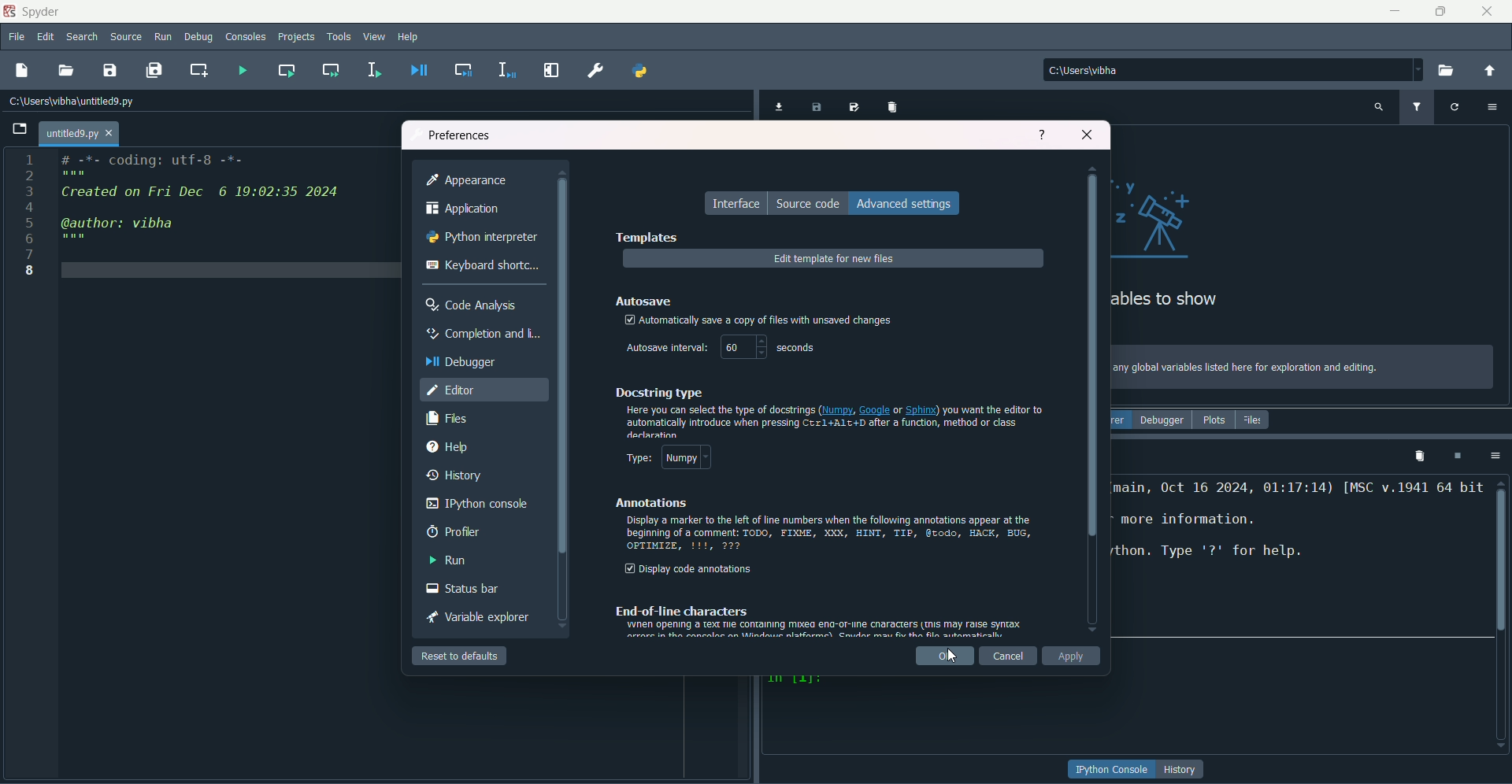 The height and width of the screenshot is (784, 1512). What do you see at coordinates (665, 457) in the screenshot?
I see `type` at bounding box center [665, 457].